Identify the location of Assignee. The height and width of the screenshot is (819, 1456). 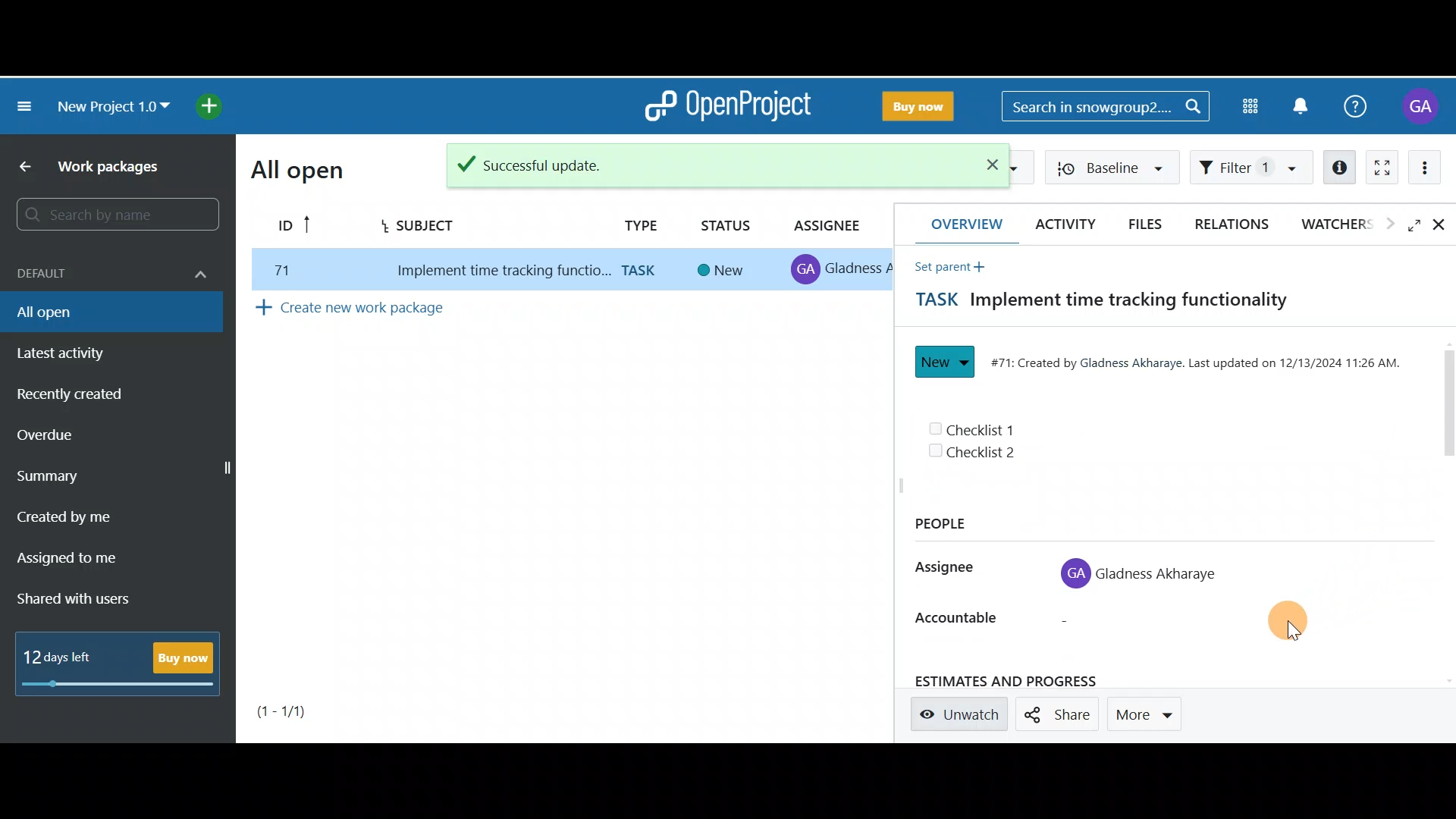
(941, 566).